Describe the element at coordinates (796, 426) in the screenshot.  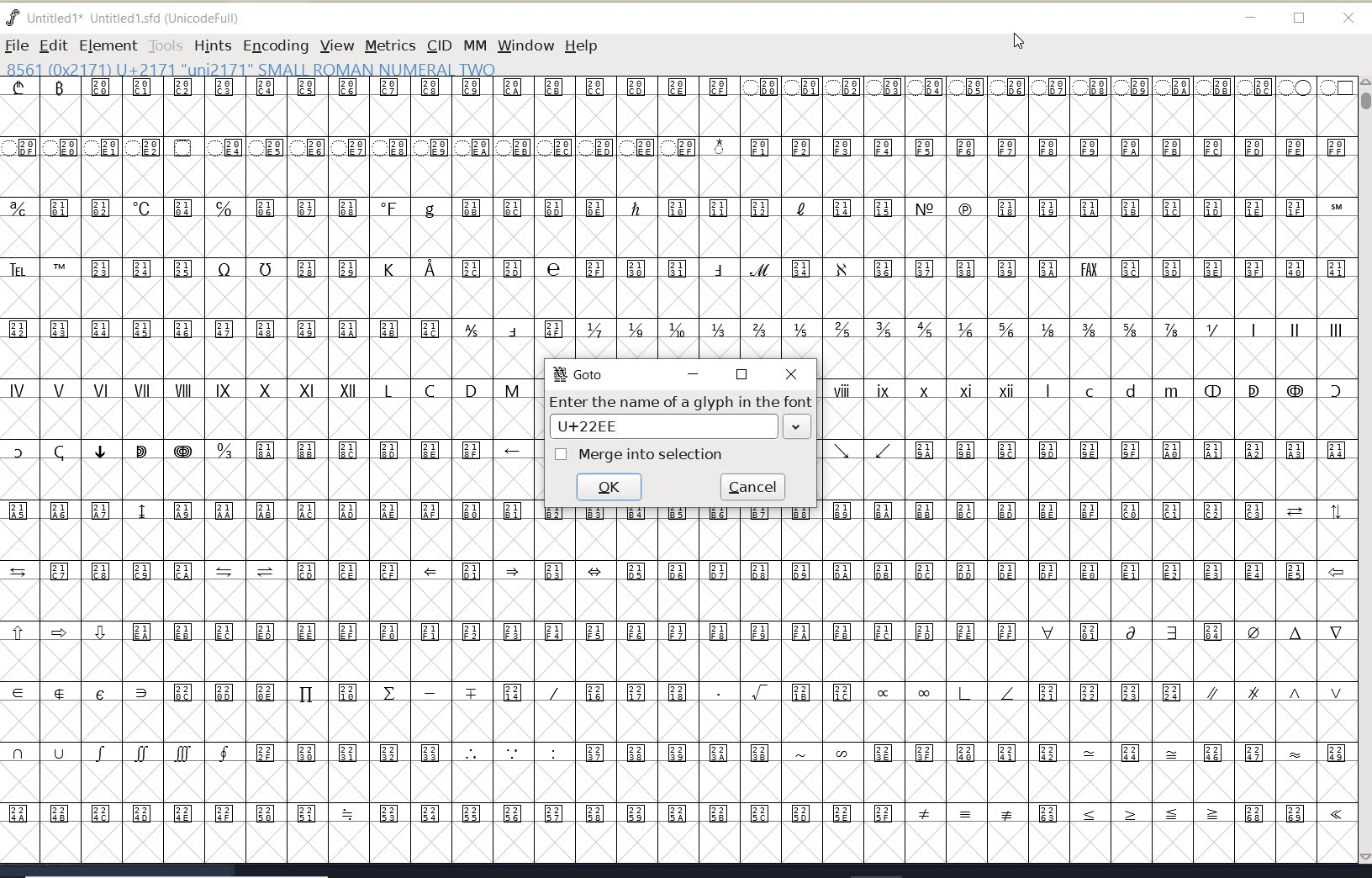
I see `EXPAND` at that location.